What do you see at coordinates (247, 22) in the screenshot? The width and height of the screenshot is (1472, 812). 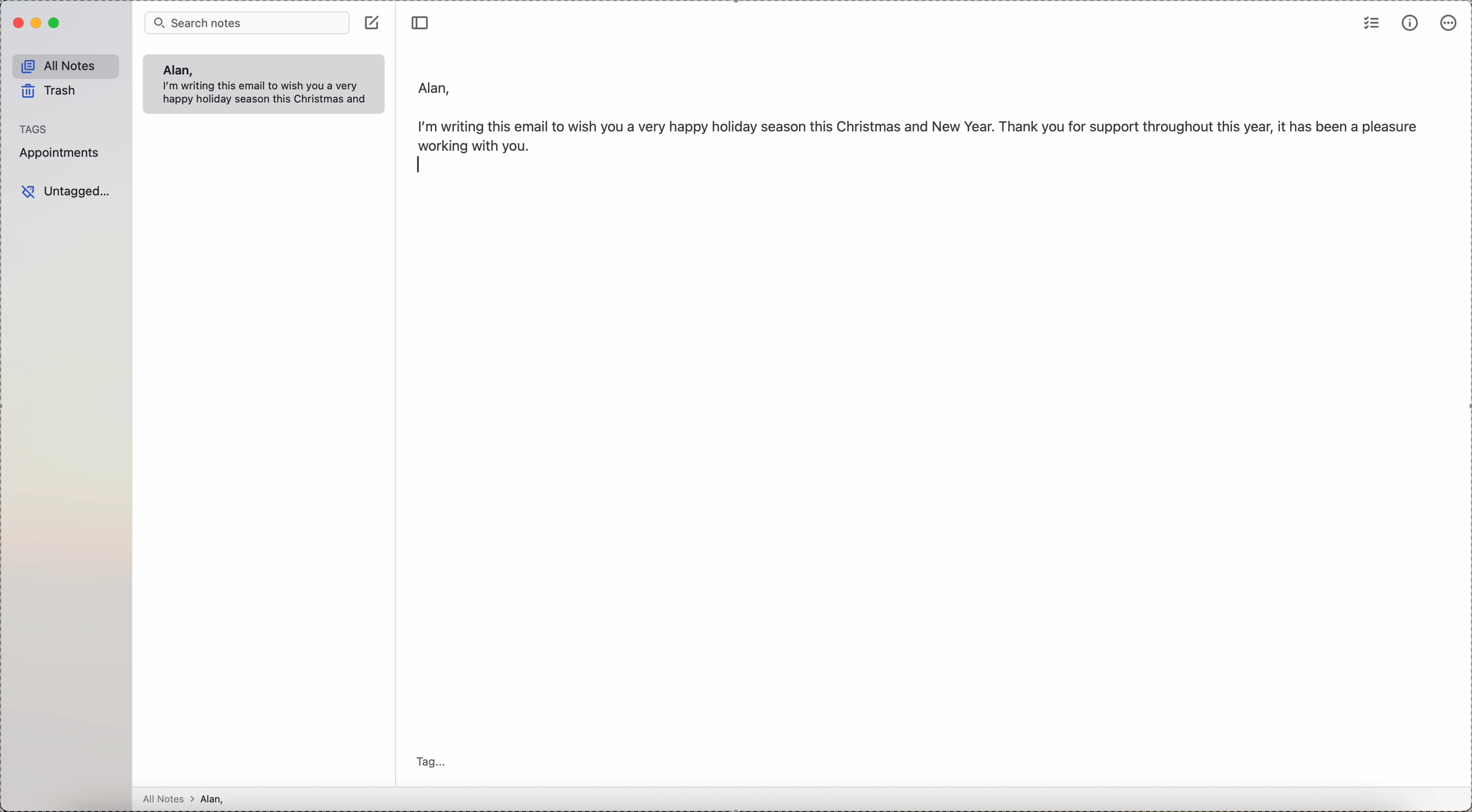 I see `search bar` at bounding box center [247, 22].